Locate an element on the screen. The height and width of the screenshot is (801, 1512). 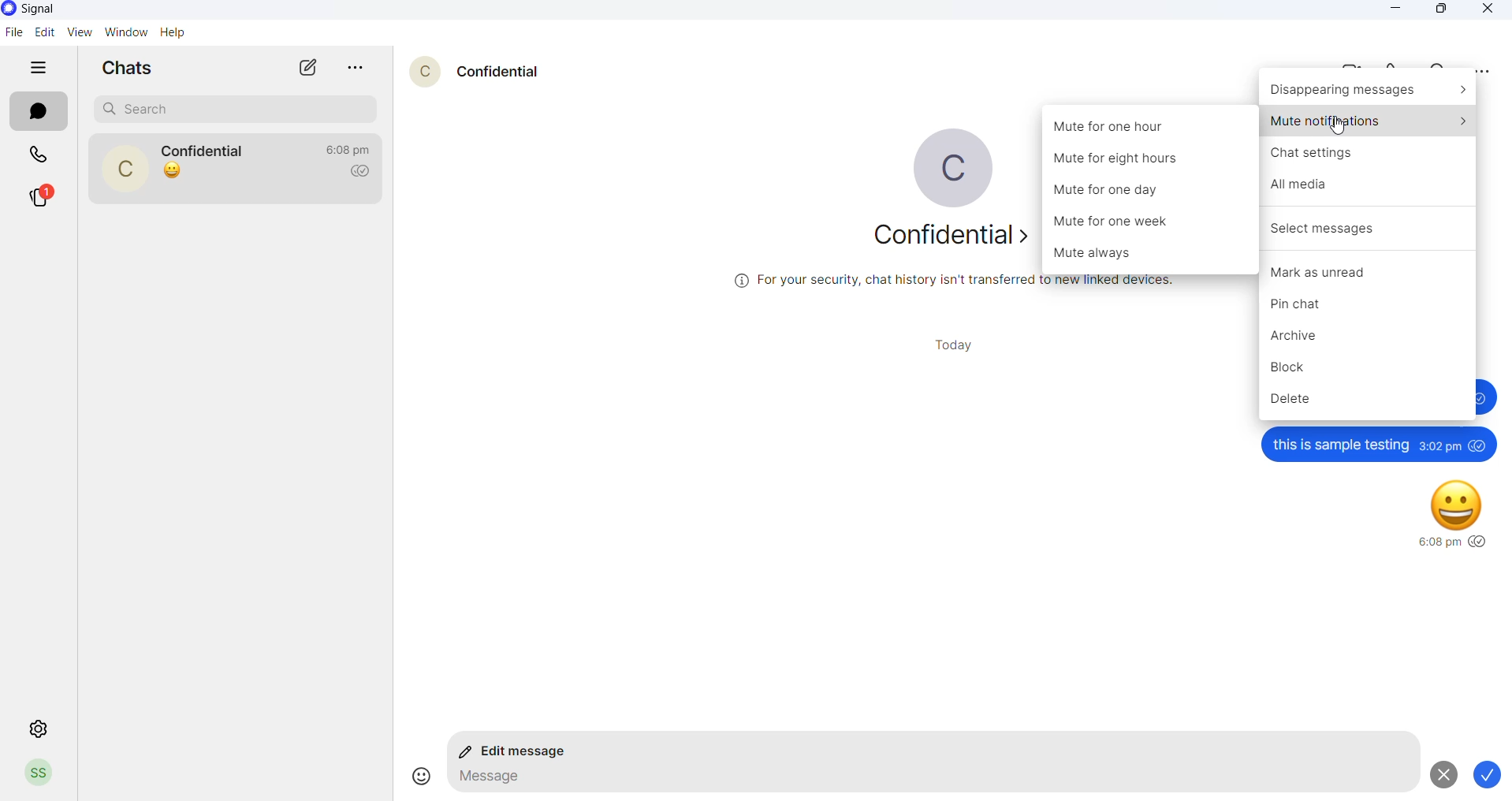
hide is located at coordinates (42, 68).